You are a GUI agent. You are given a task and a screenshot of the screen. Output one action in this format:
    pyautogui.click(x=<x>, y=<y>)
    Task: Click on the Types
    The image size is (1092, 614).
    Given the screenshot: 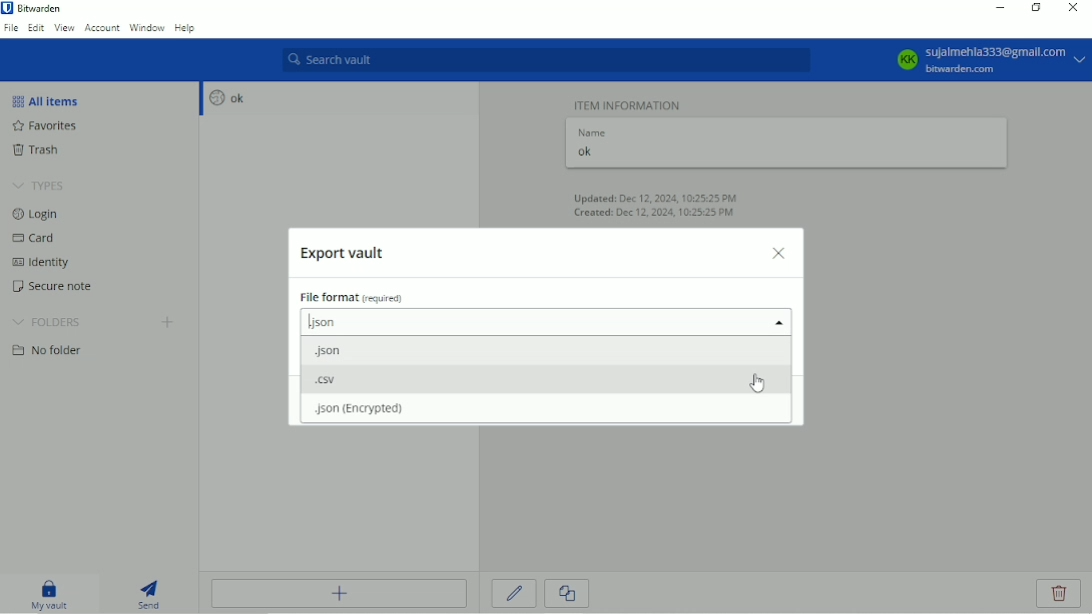 What is the action you would take?
    pyautogui.click(x=40, y=187)
    